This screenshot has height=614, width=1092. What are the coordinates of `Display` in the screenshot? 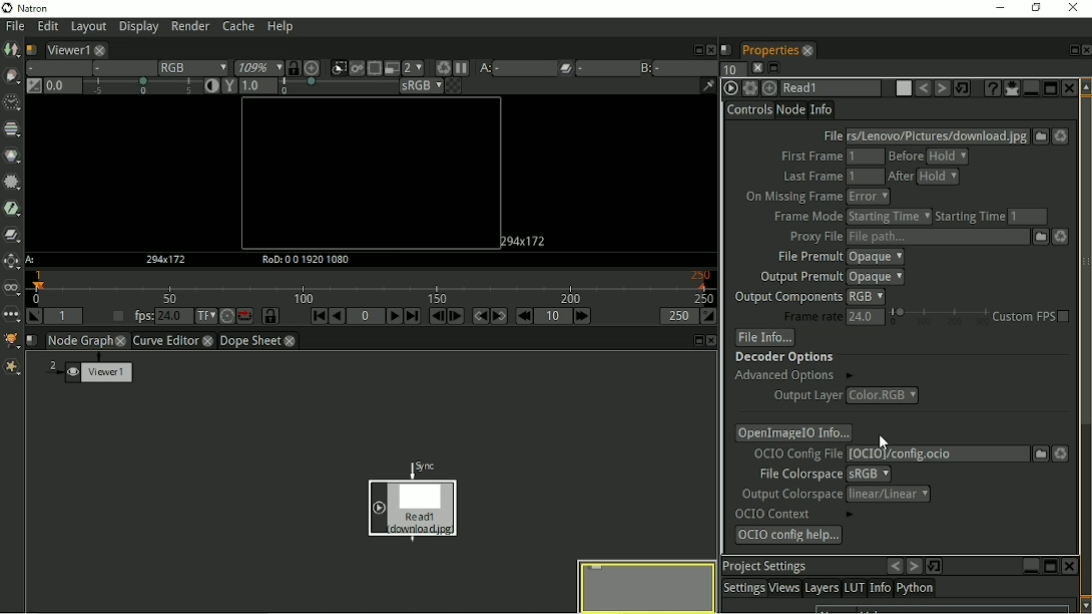 It's located at (139, 28).